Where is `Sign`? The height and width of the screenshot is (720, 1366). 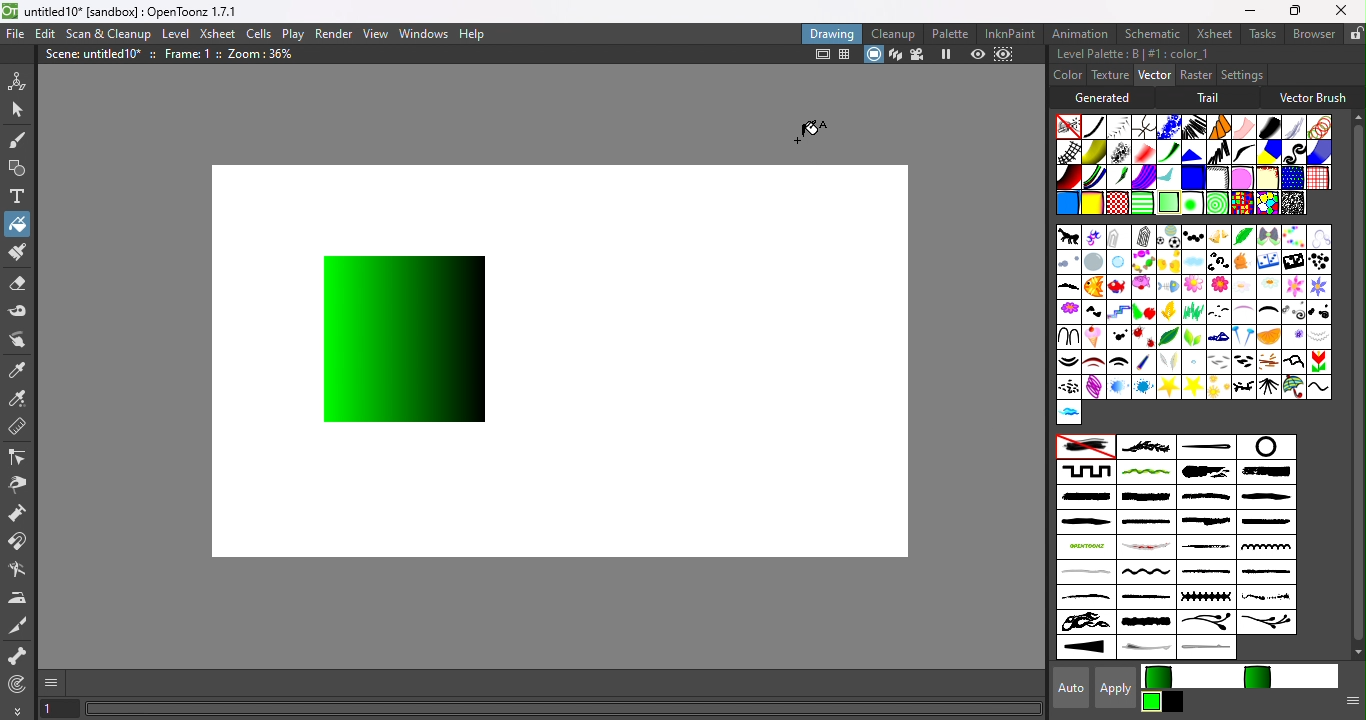 Sign is located at coordinates (1069, 387).